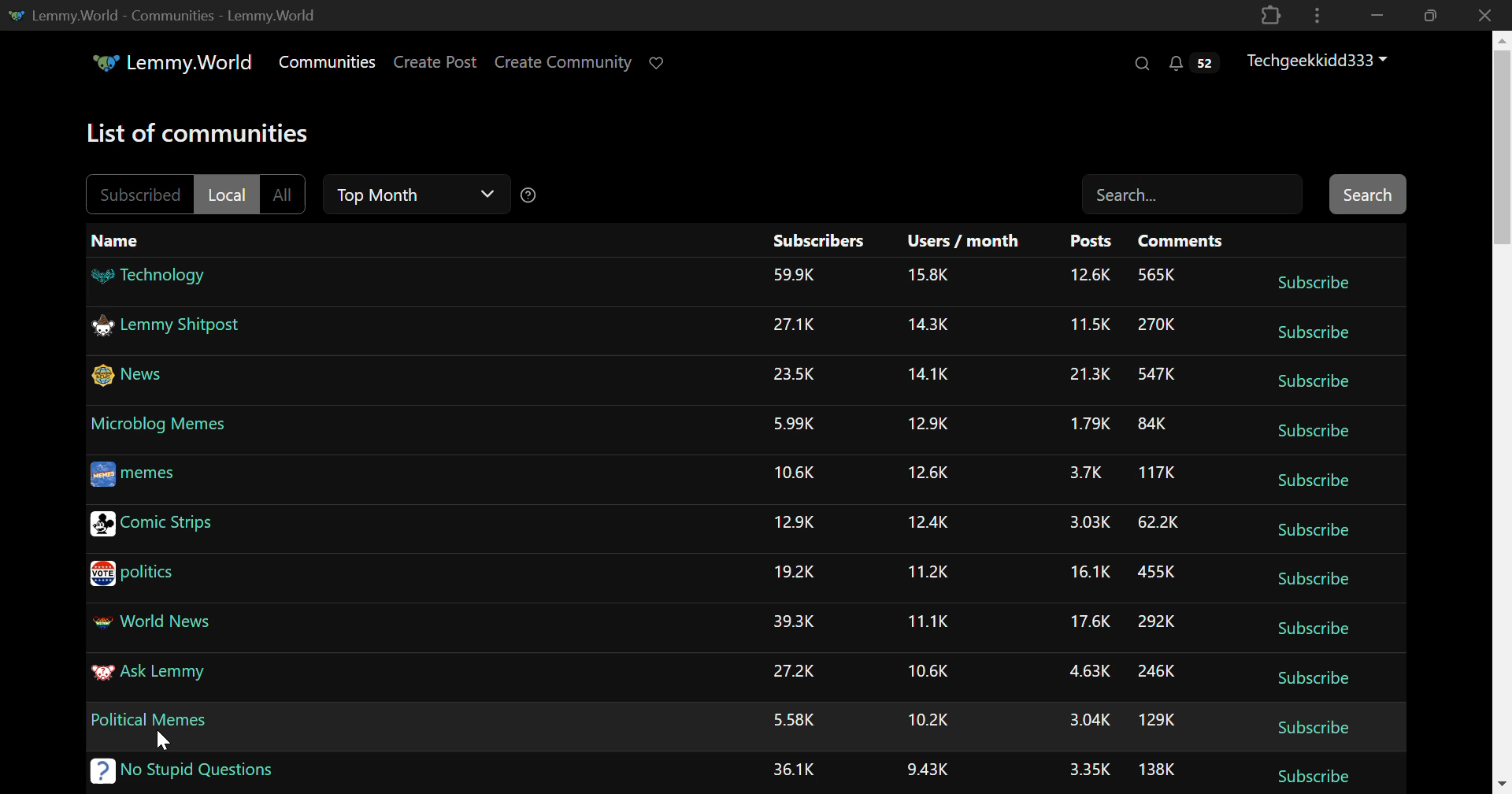 Image resolution: width=1512 pixels, height=794 pixels. What do you see at coordinates (1158, 522) in the screenshot?
I see `Amount` at bounding box center [1158, 522].